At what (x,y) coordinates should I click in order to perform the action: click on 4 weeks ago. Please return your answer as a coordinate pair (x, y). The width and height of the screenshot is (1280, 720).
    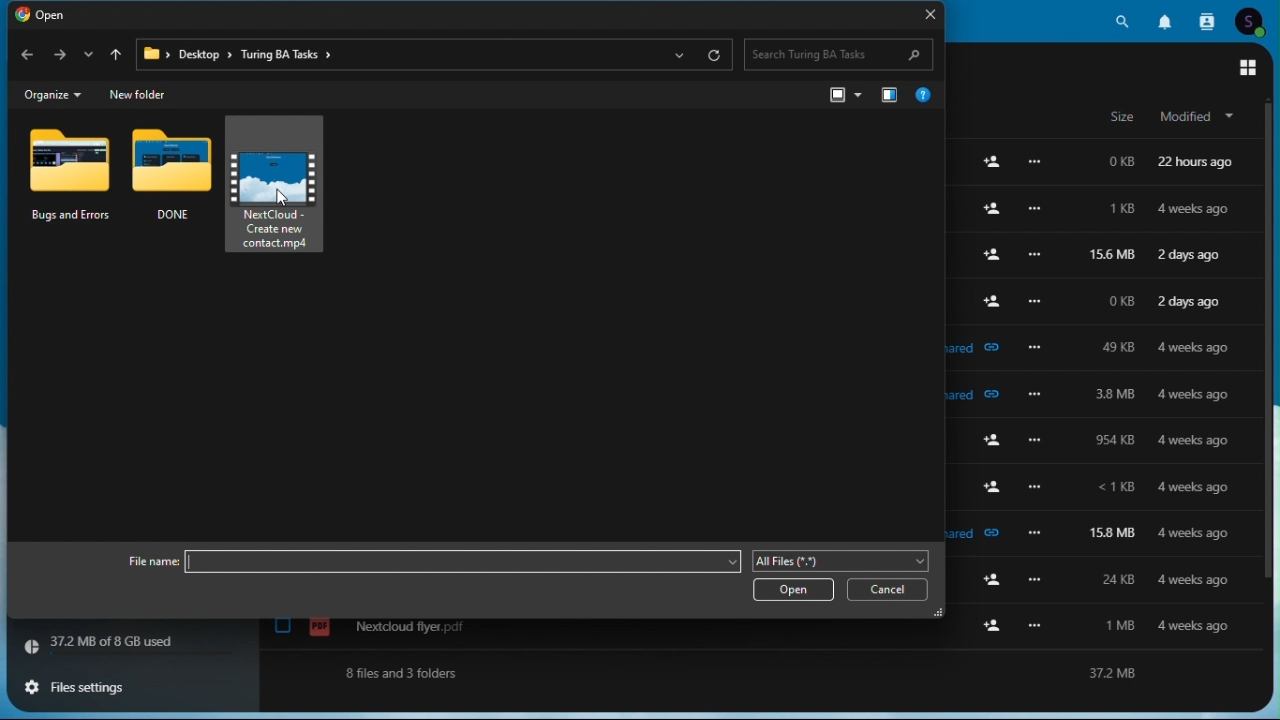
    Looking at the image, I should click on (1196, 443).